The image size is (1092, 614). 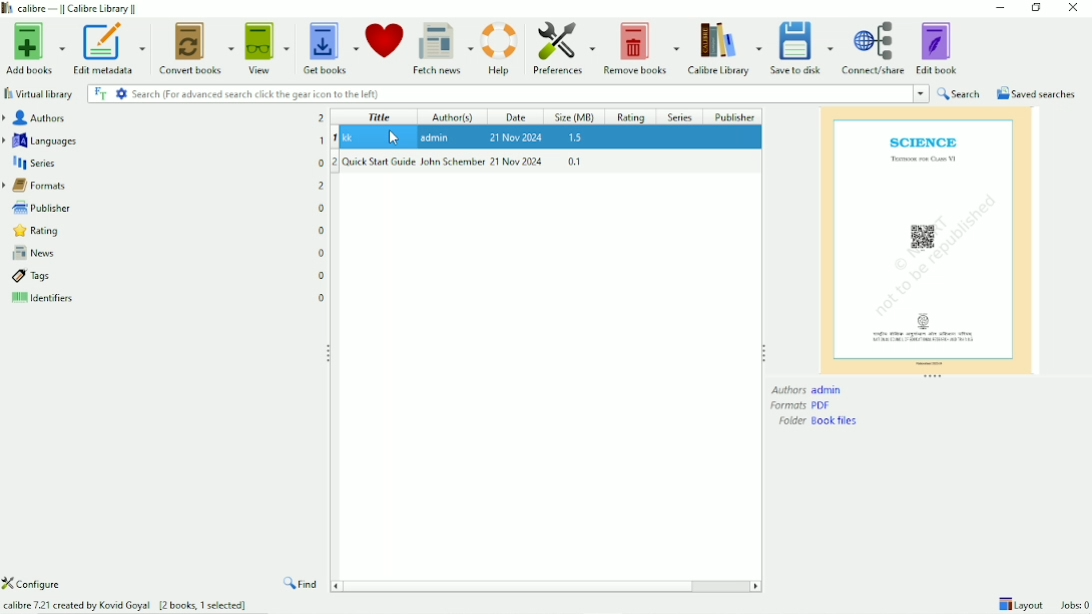 What do you see at coordinates (379, 161) in the screenshot?
I see `Quick Start Guide` at bounding box center [379, 161].